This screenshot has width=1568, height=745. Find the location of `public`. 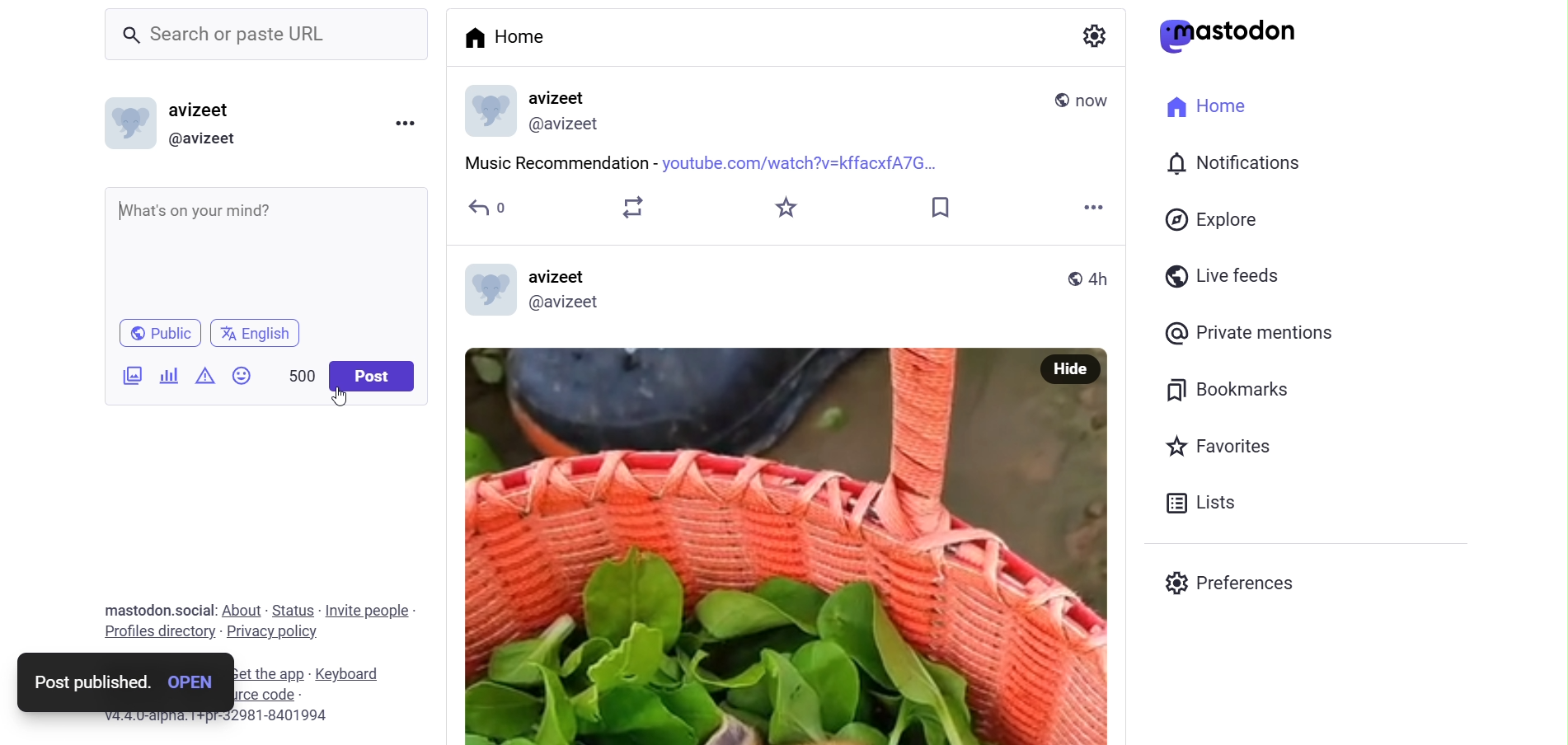

public is located at coordinates (1072, 279).